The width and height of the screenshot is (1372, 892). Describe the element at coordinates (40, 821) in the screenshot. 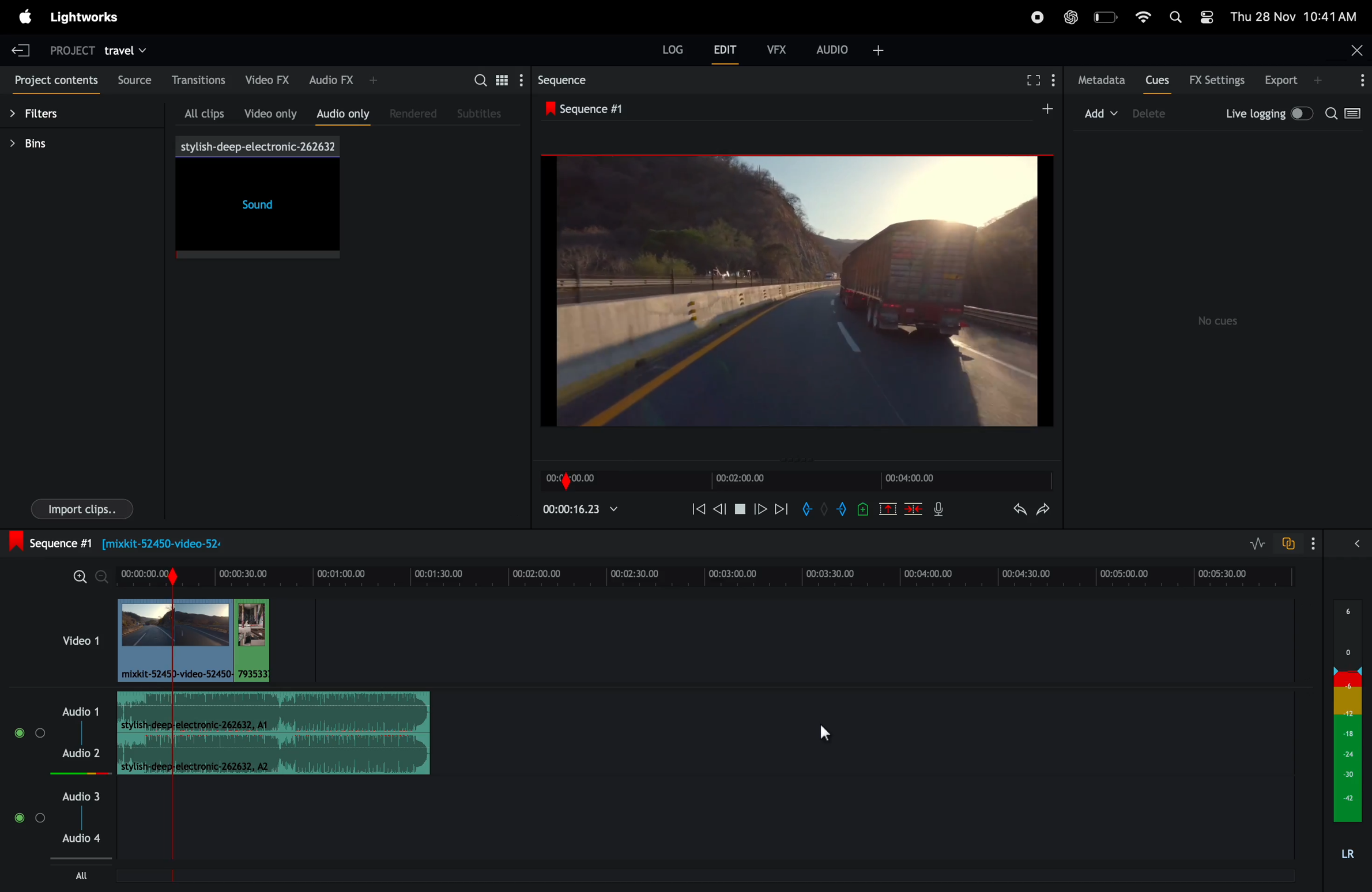

I see `Solo track` at that location.